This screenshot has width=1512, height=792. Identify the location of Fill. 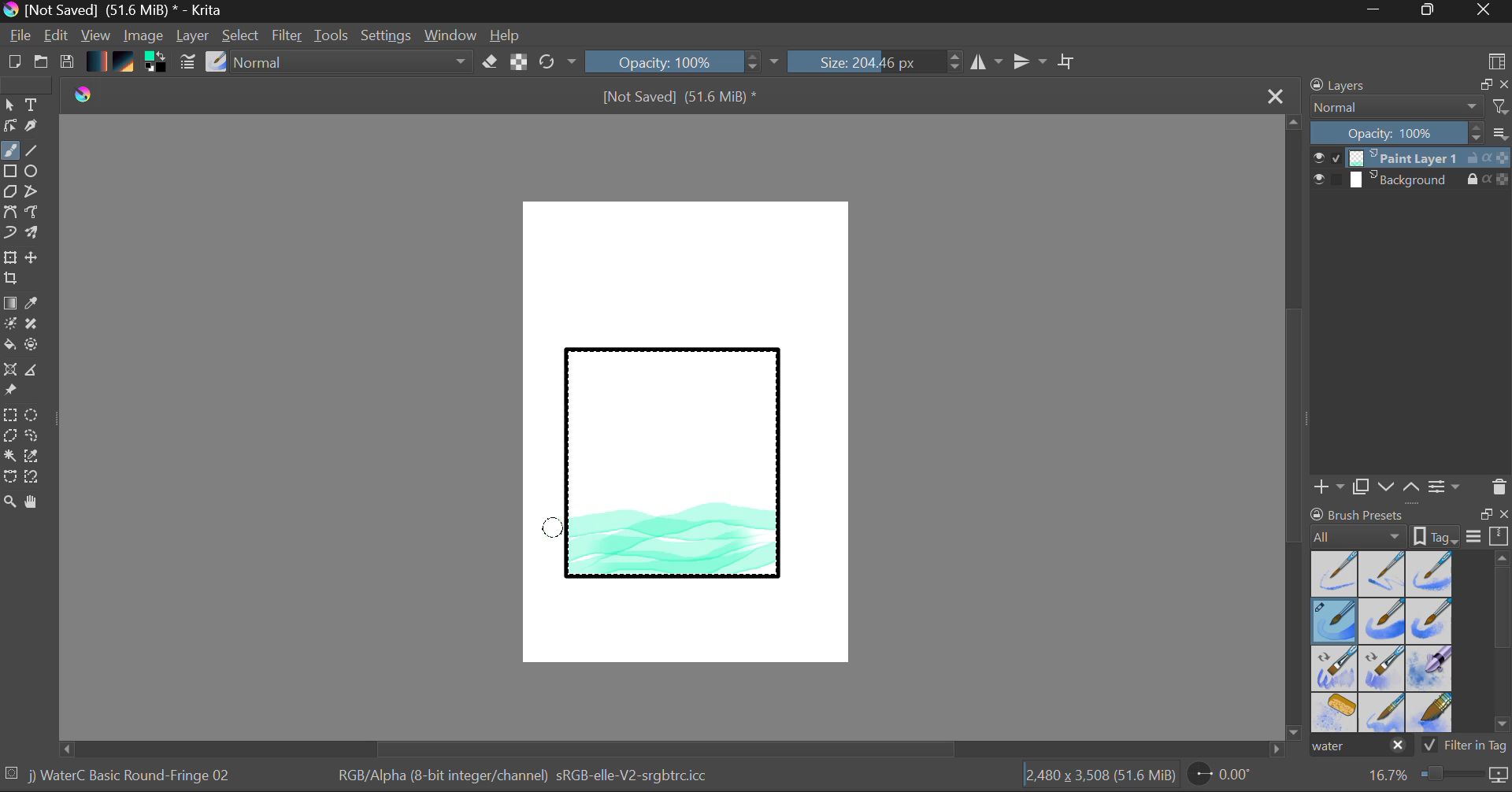
(9, 347).